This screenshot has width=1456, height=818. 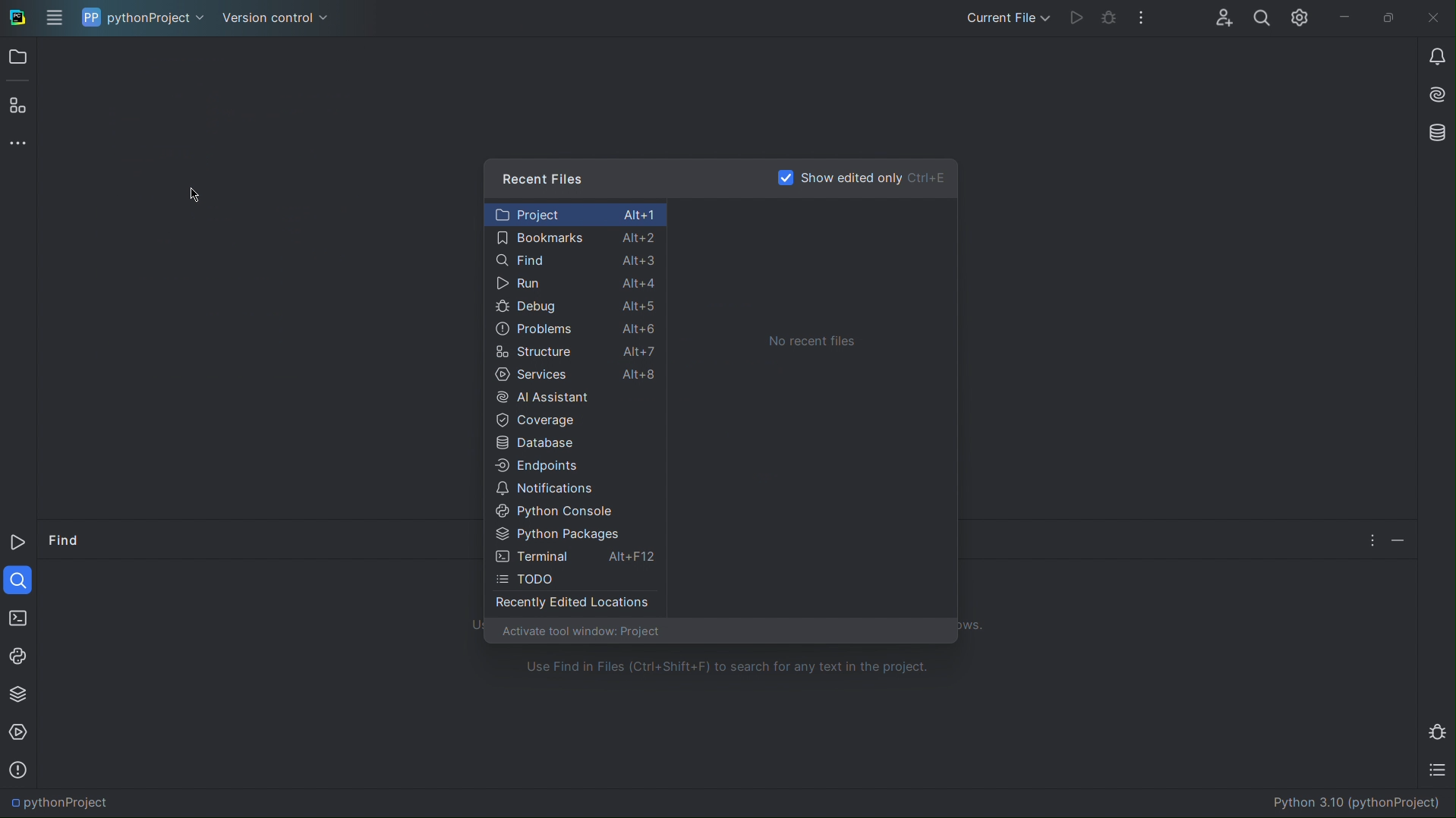 I want to click on Version Control, so click(x=277, y=18).